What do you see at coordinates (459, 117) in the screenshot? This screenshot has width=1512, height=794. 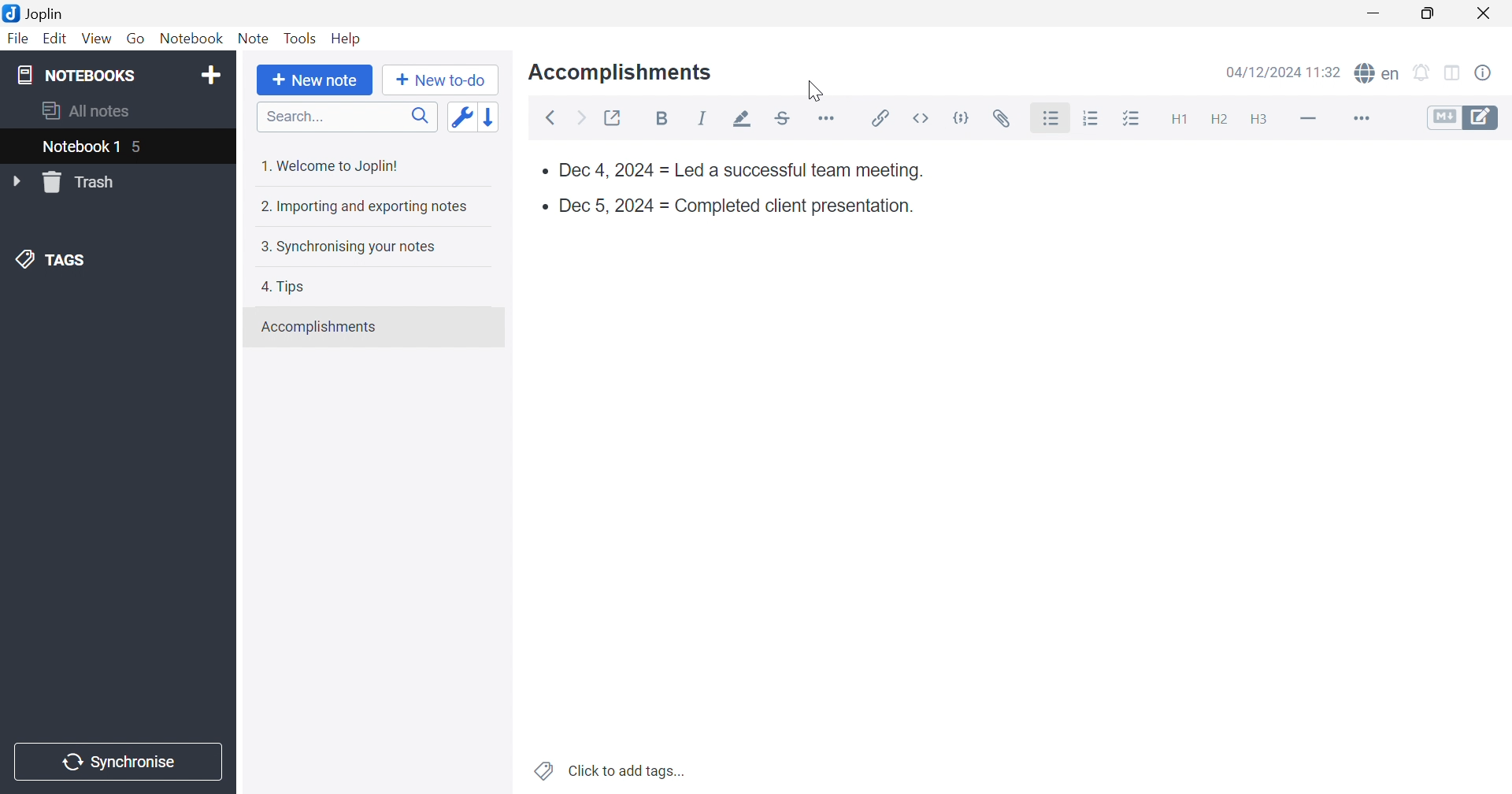 I see `Toggle sort order field` at bounding box center [459, 117].